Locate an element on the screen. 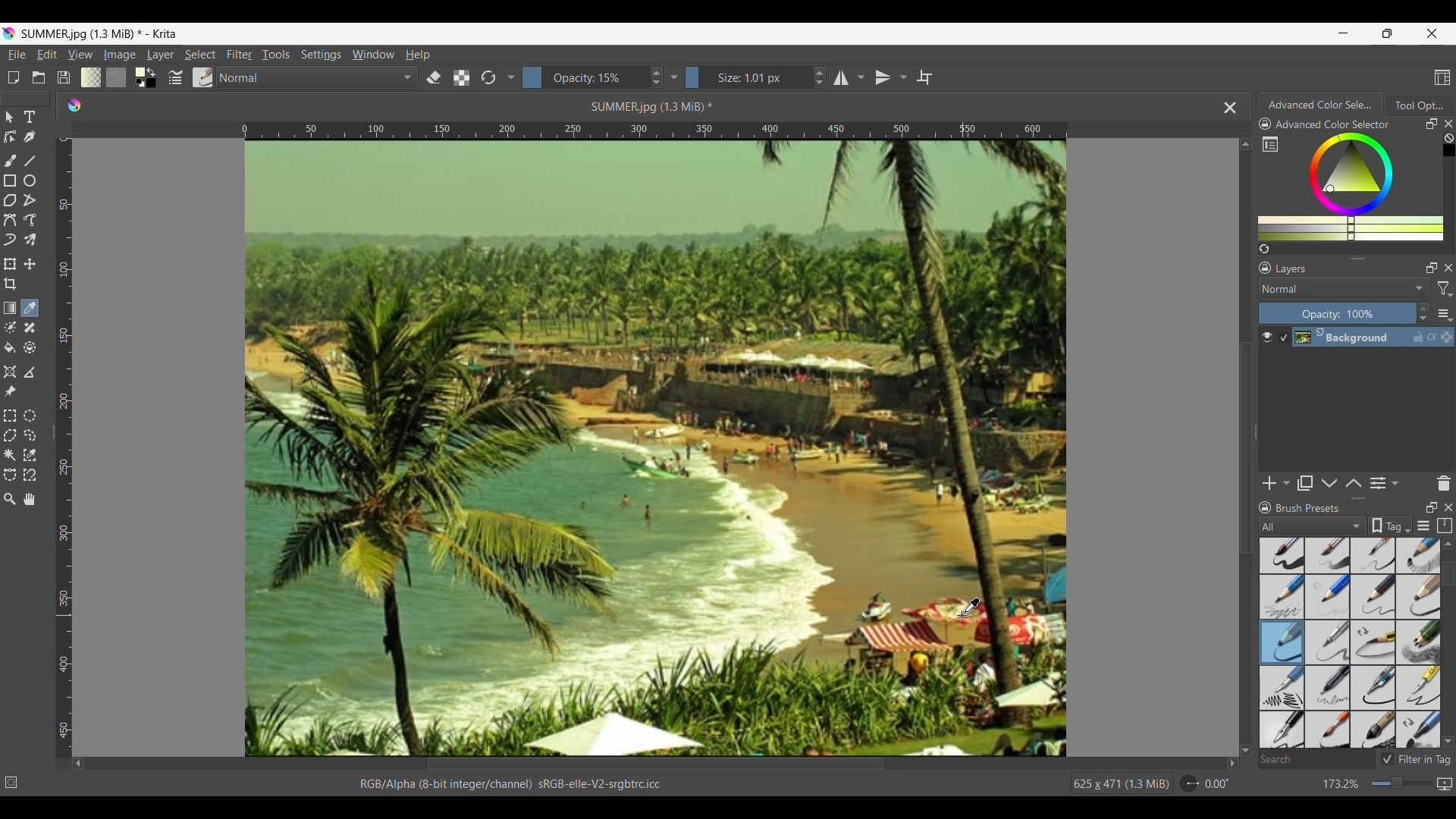 This screenshot has height=819, width=1456. Dynamic brush tool is located at coordinates (10, 240).